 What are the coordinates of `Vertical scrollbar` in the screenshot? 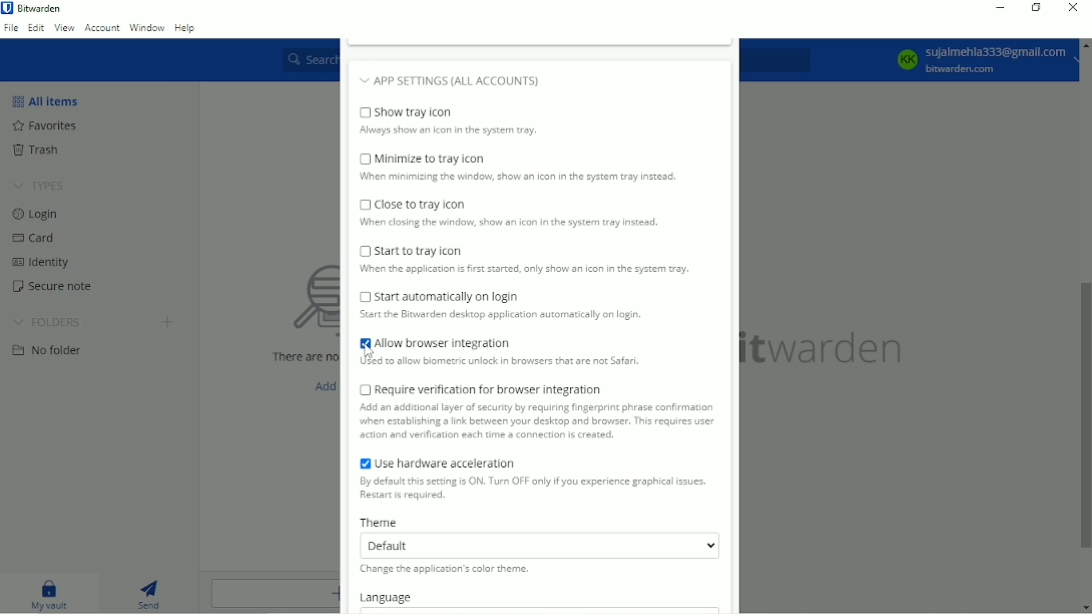 It's located at (1085, 416).